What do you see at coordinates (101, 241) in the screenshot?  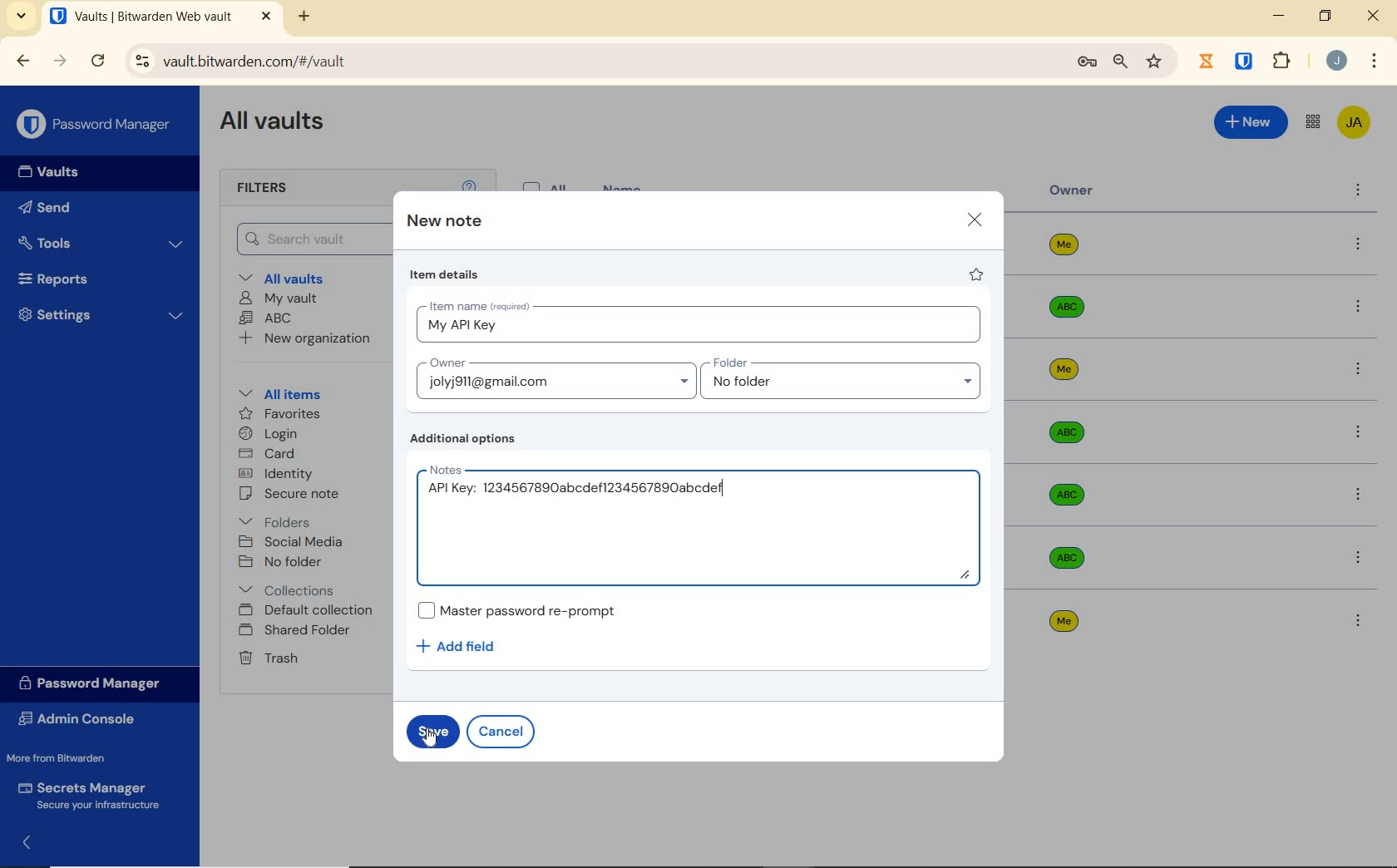 I see `Tools` at bounding box center [101, 241].